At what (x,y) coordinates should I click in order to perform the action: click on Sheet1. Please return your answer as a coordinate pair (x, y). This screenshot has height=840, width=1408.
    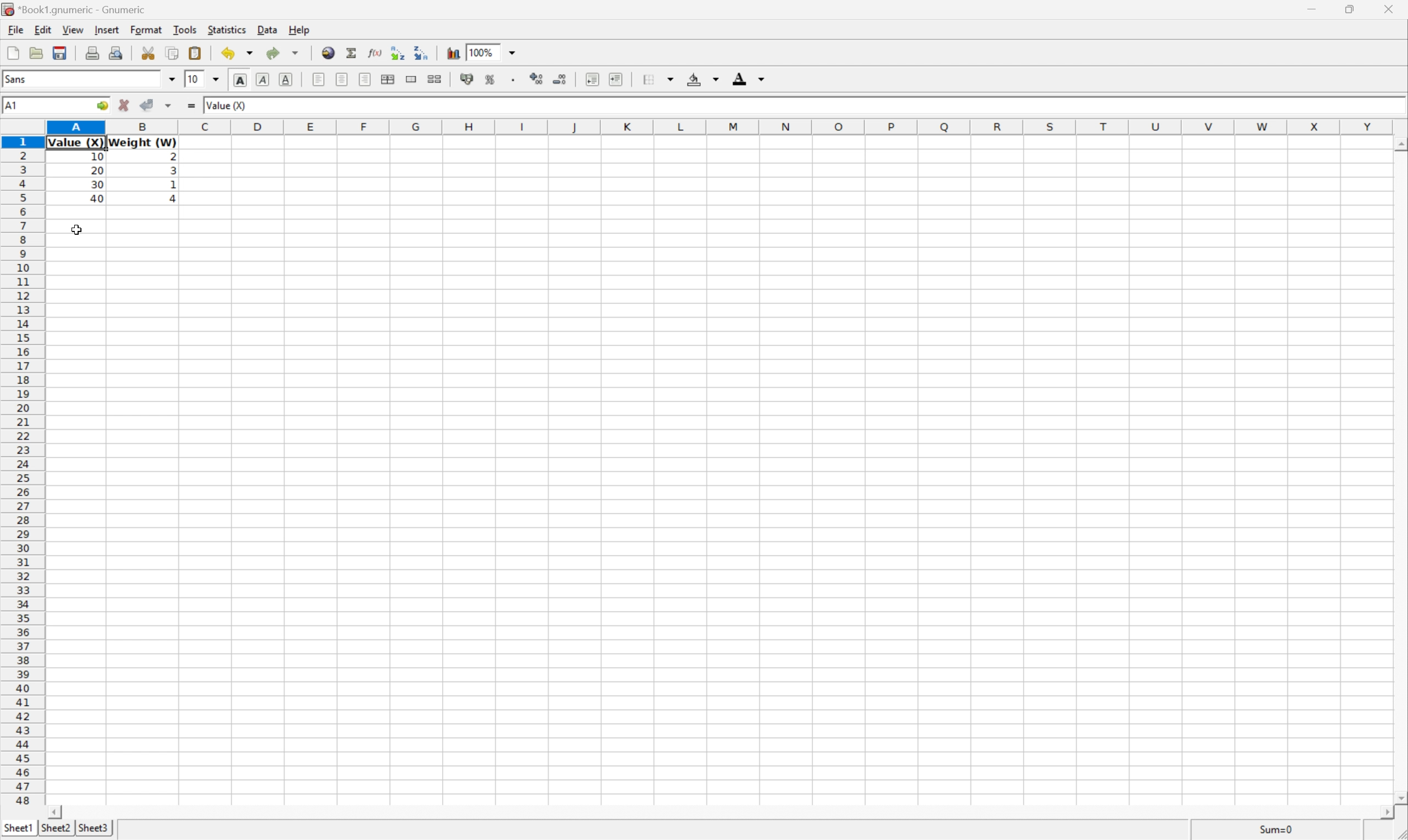
    Looking at the image, I should click on (18, 828).